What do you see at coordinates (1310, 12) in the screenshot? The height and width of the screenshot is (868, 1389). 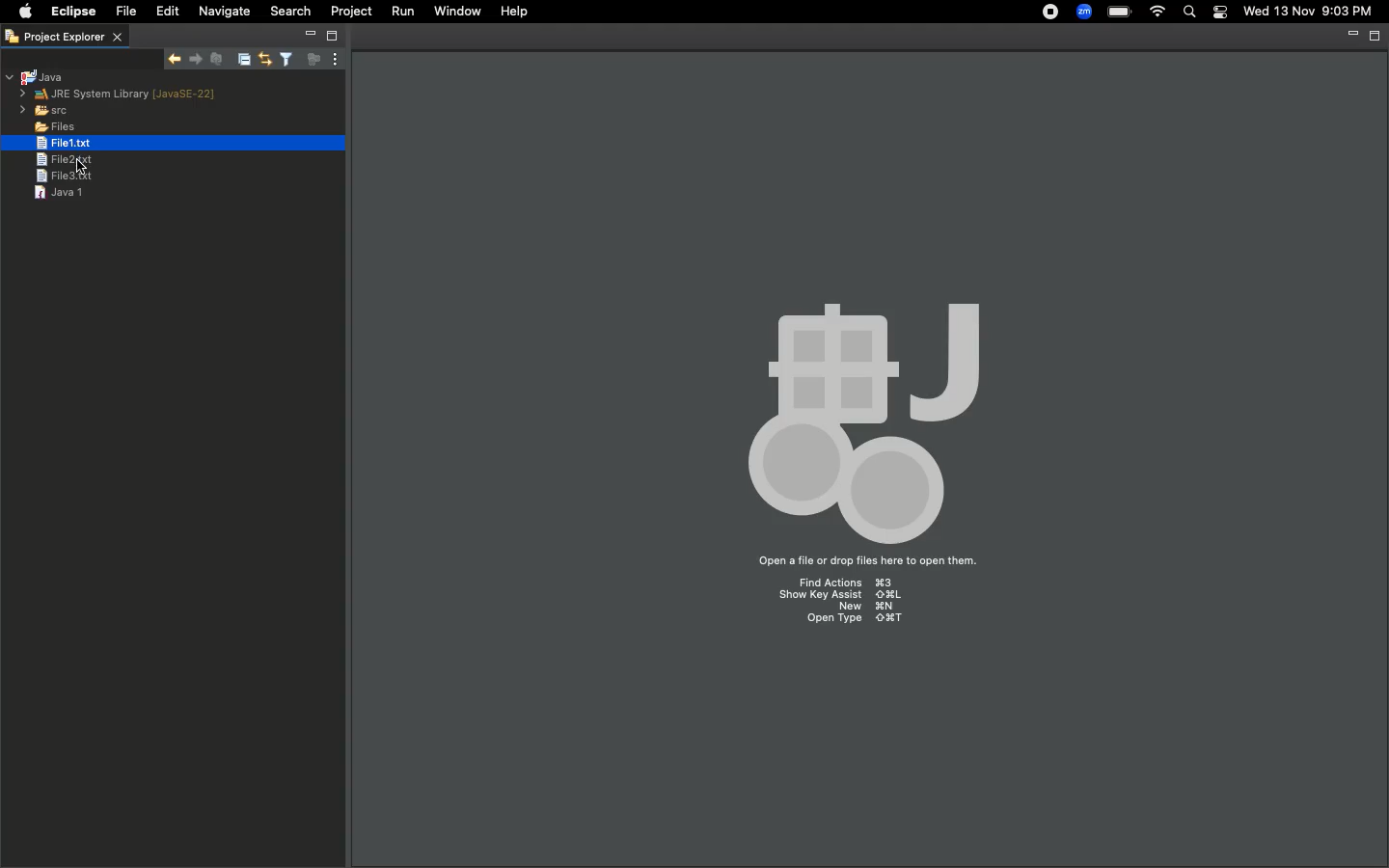 I see `Date/time` at bounding box center [1310, 12].